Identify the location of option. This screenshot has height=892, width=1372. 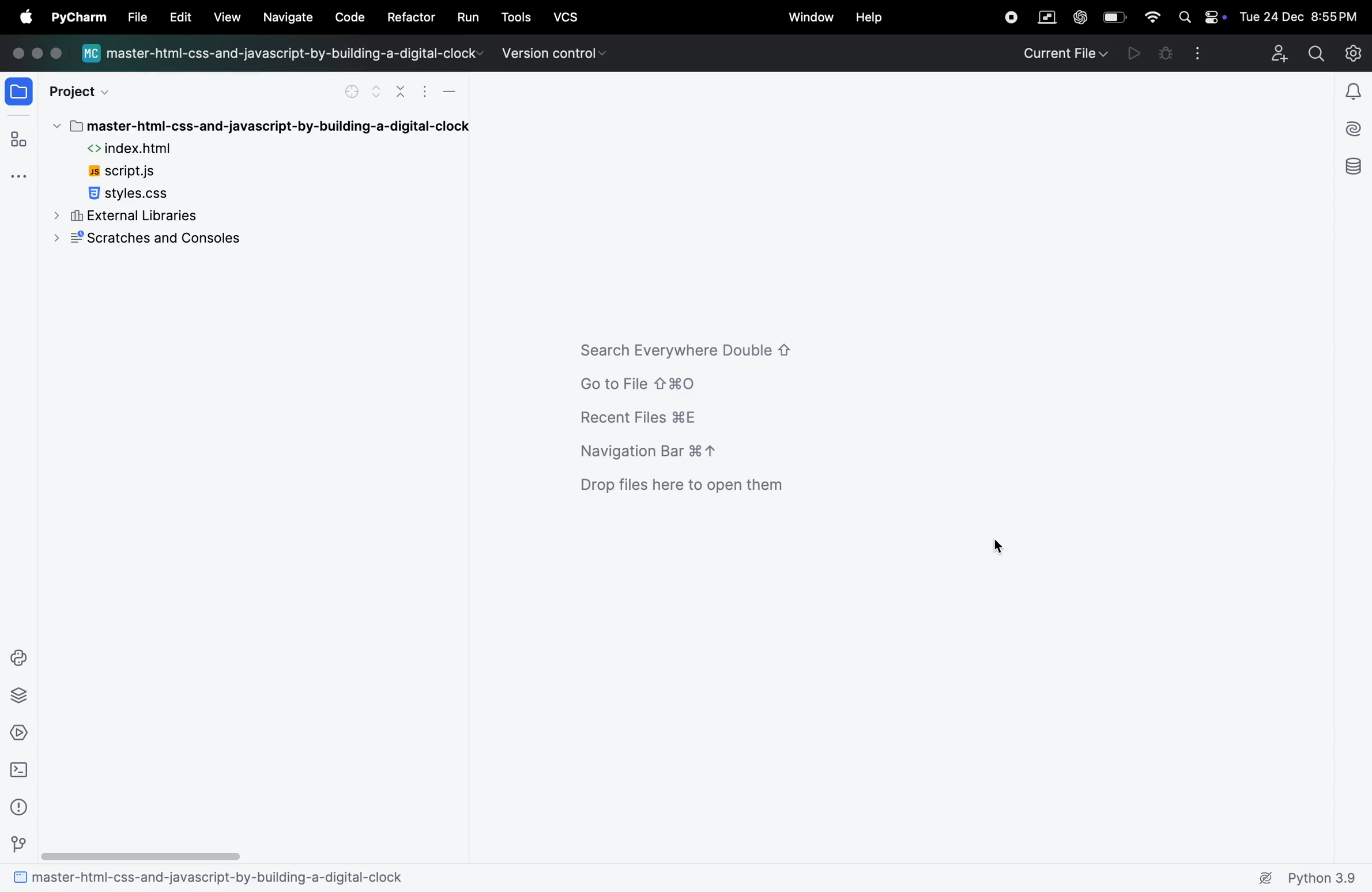
(20, 176).